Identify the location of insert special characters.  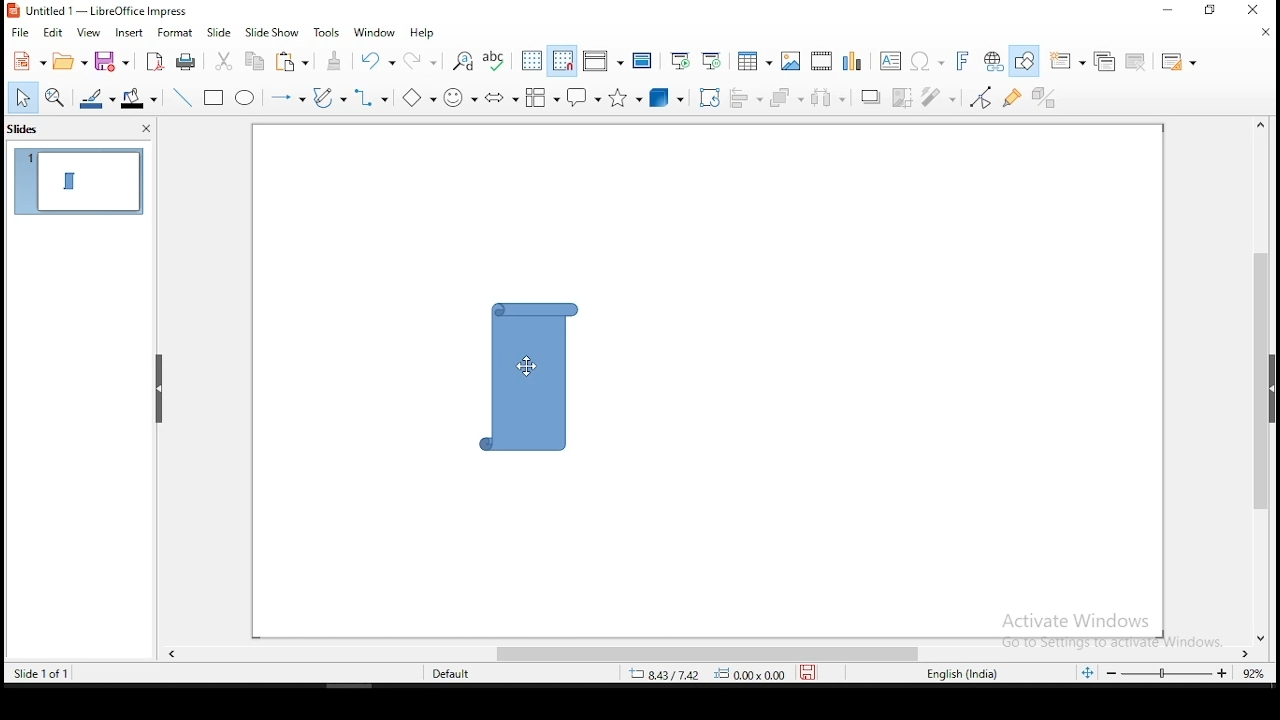
(928, 59).